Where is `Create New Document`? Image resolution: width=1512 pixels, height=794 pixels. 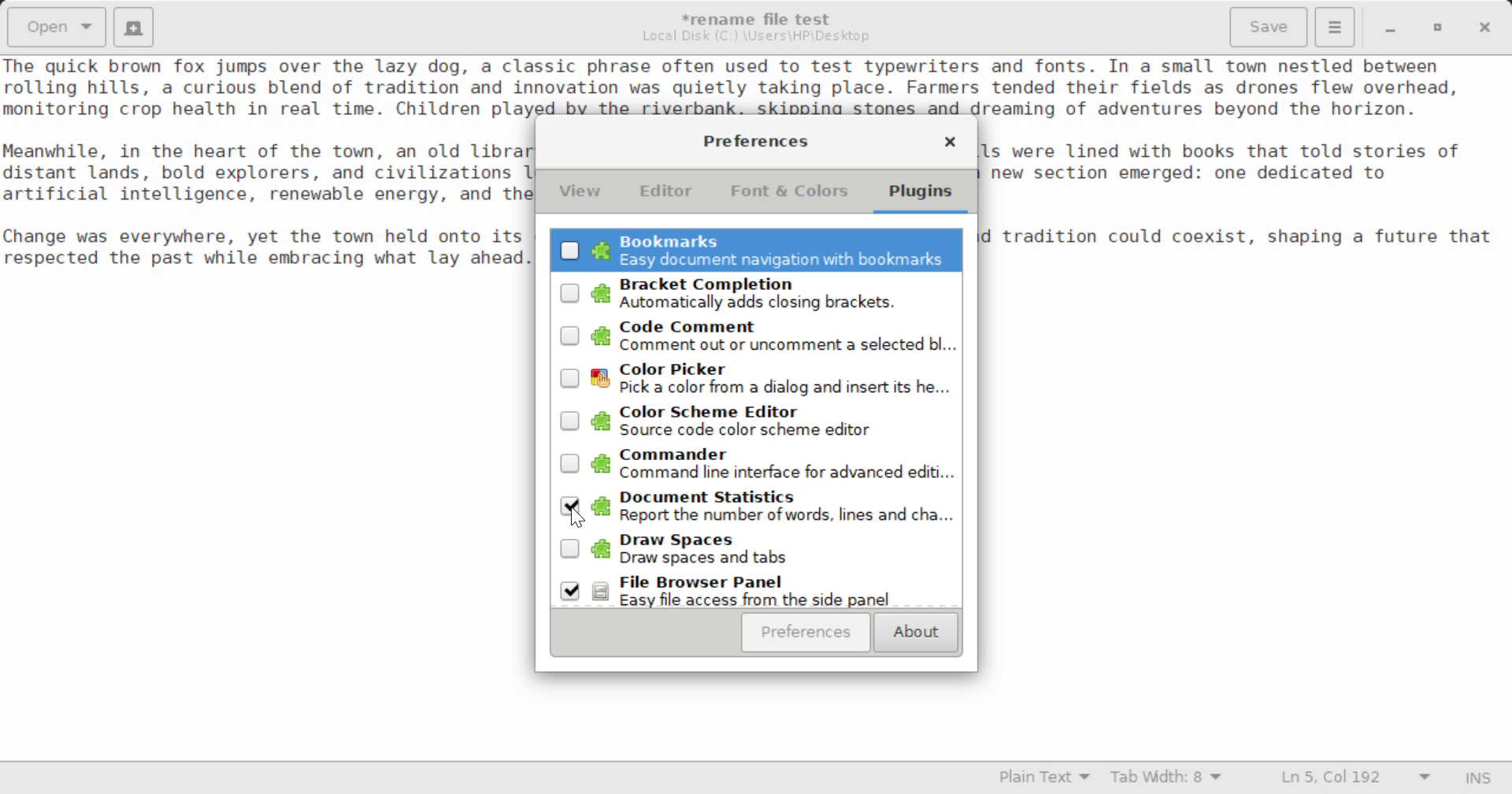
Create New Document is located at coordinates (132, 25).